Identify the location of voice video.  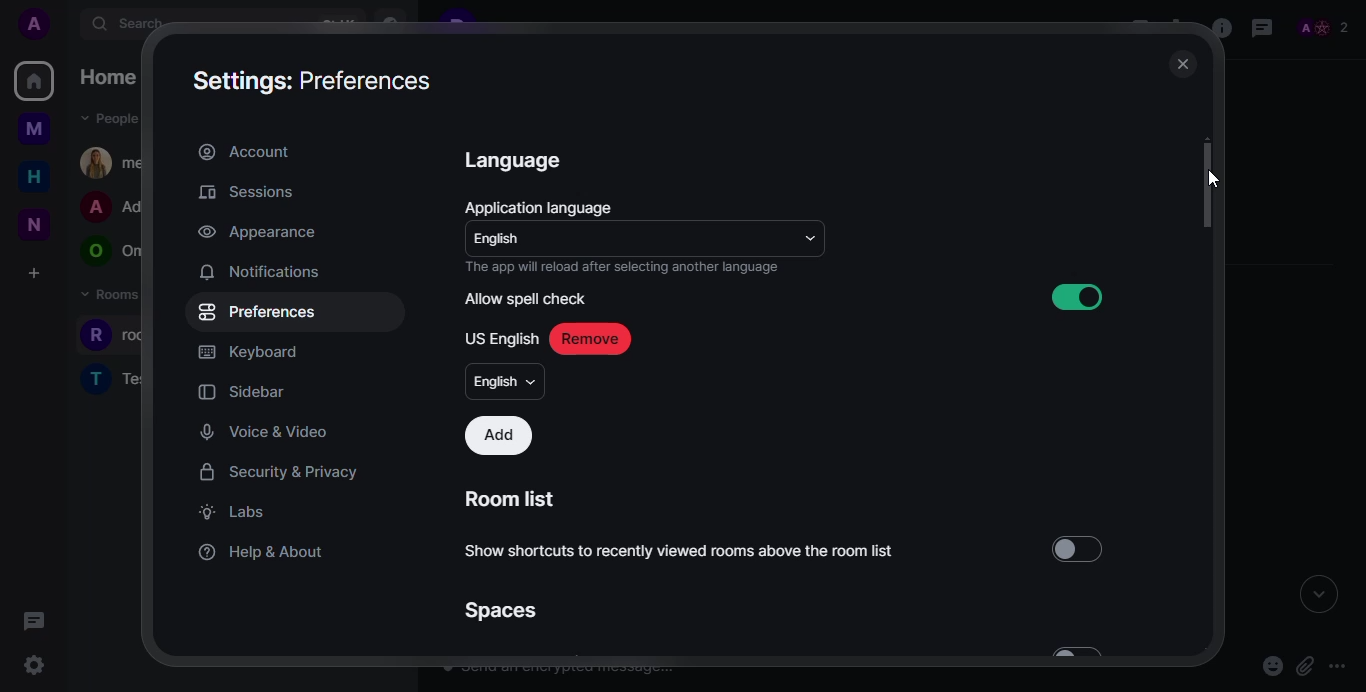
(265, 432).